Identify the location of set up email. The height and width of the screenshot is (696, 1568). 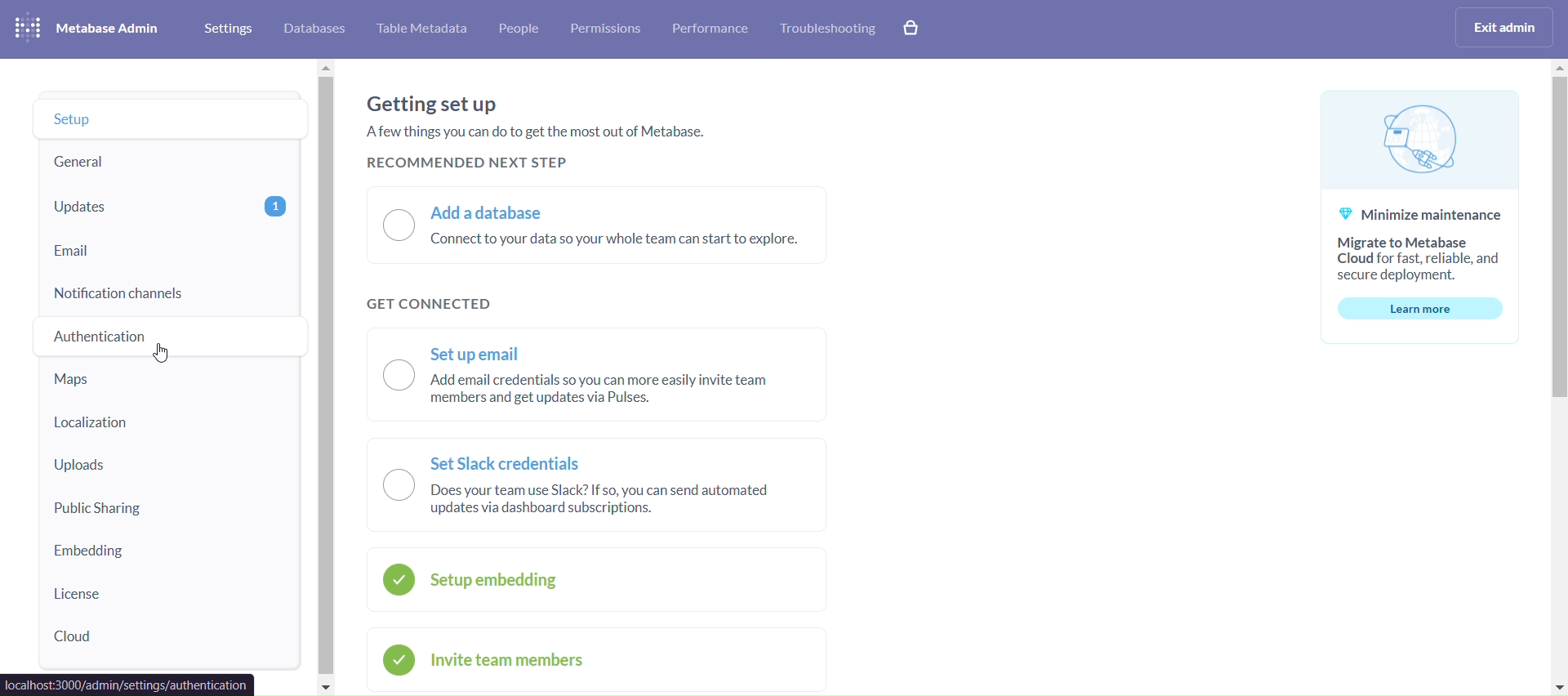
(595, 374).